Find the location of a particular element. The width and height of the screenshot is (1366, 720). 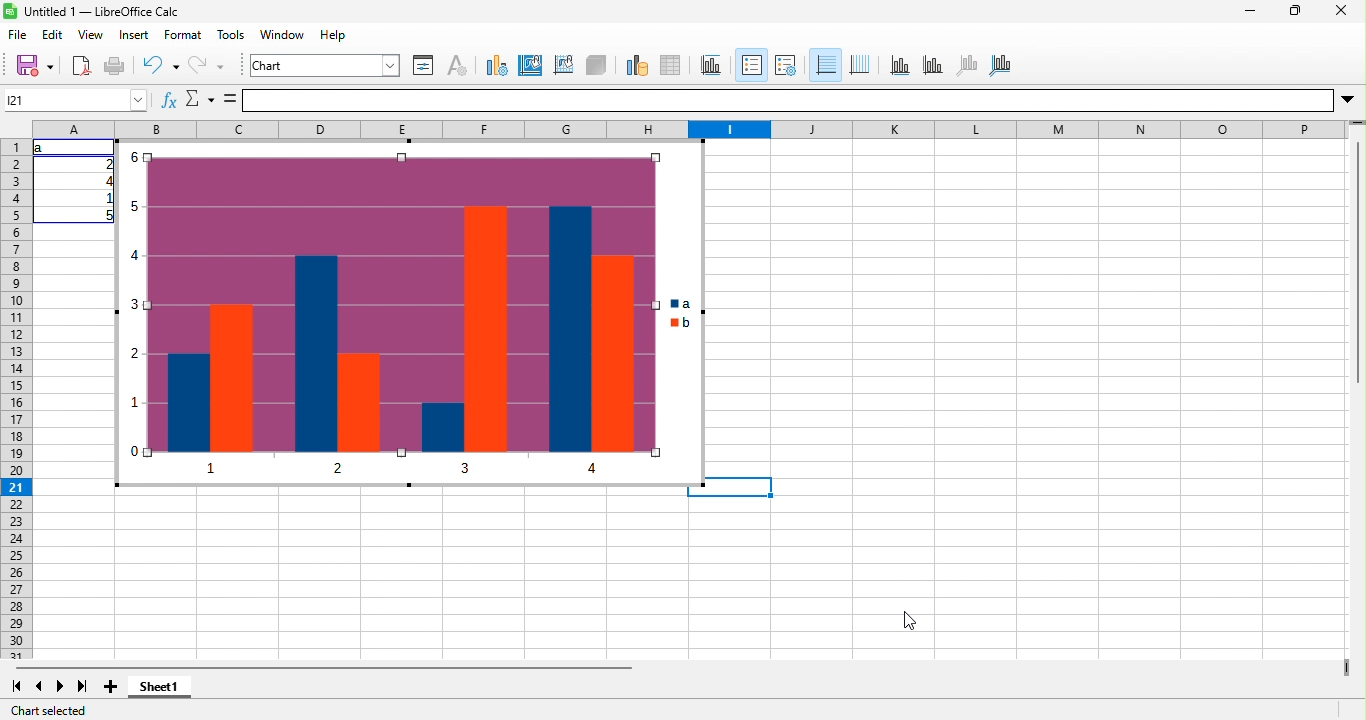

format is located at coordinates (183, 34).